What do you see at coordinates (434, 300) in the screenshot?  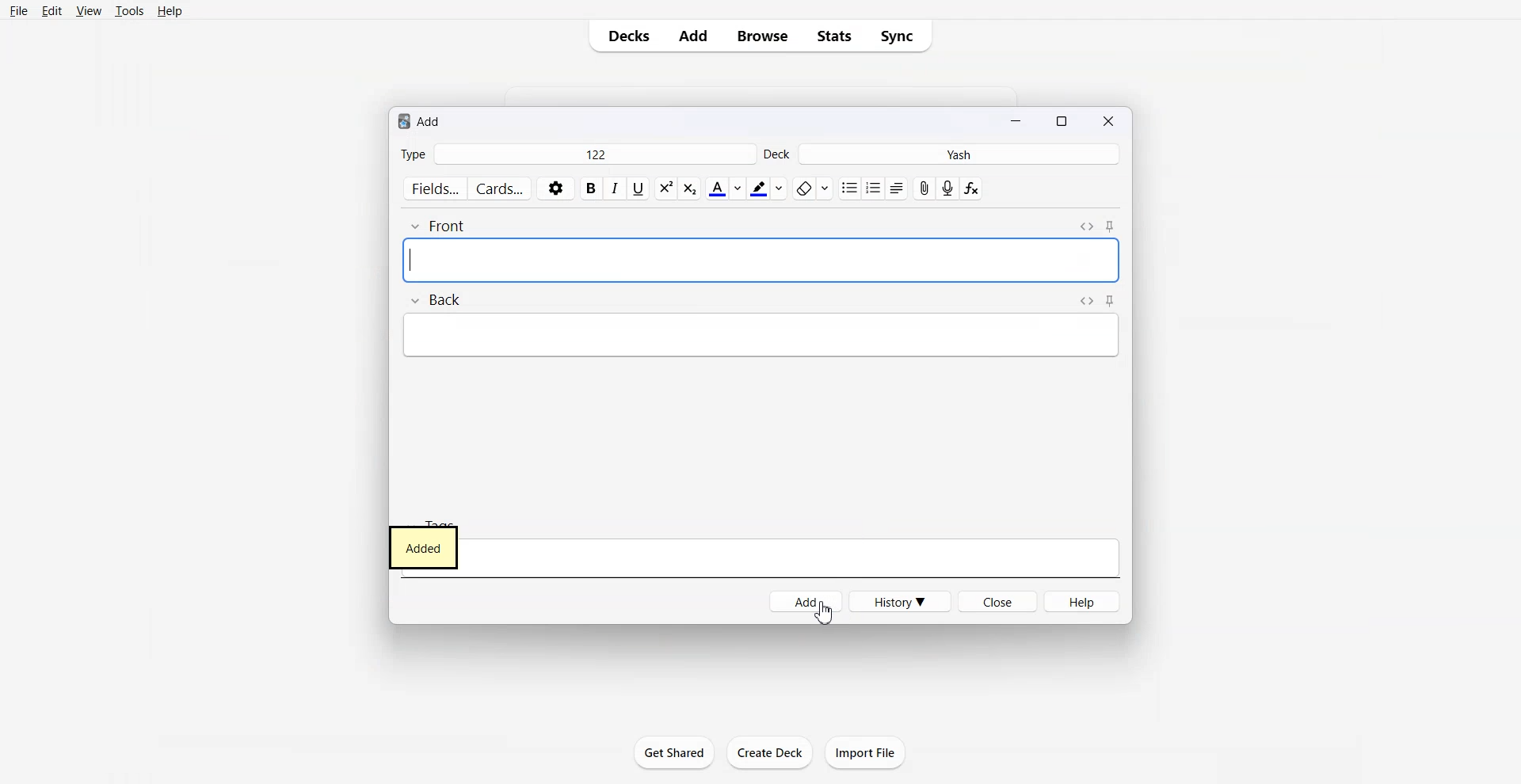 I see `Back` at bounding box center [434, 300].